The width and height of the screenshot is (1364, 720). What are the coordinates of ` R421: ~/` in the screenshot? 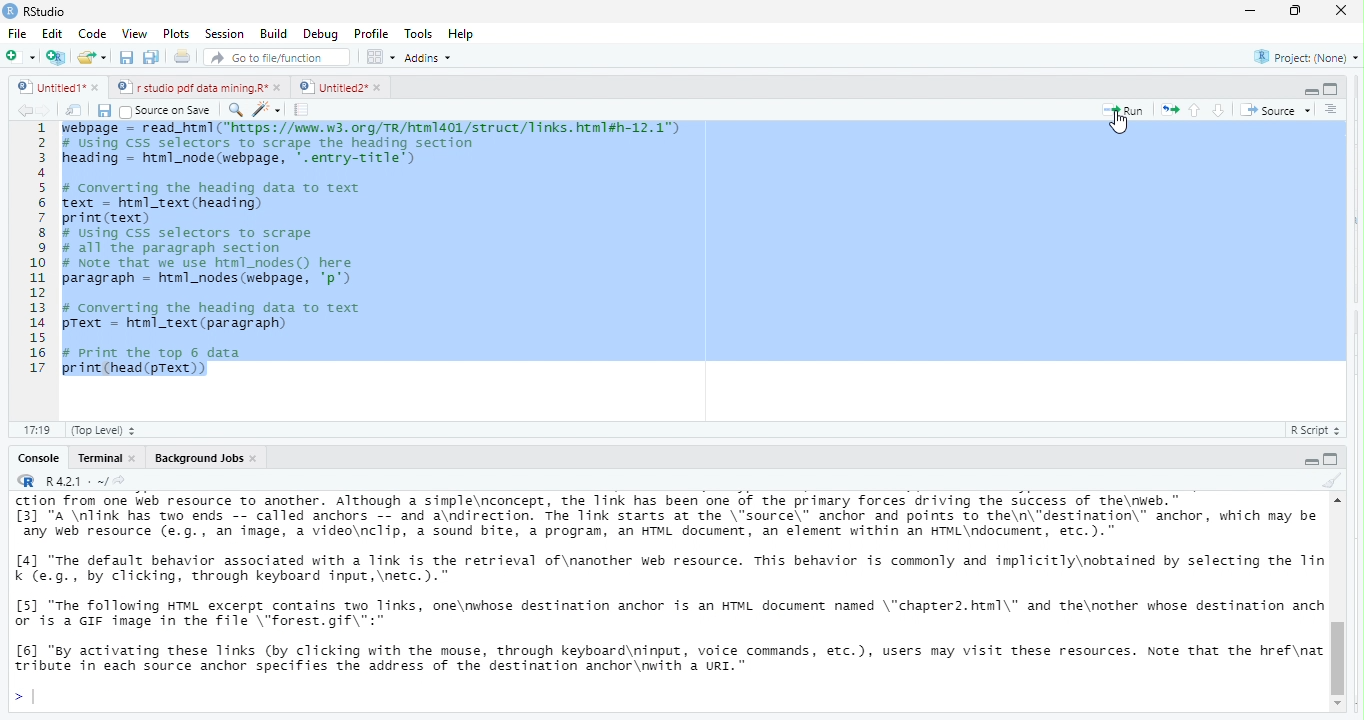 It's located at (192, 456).